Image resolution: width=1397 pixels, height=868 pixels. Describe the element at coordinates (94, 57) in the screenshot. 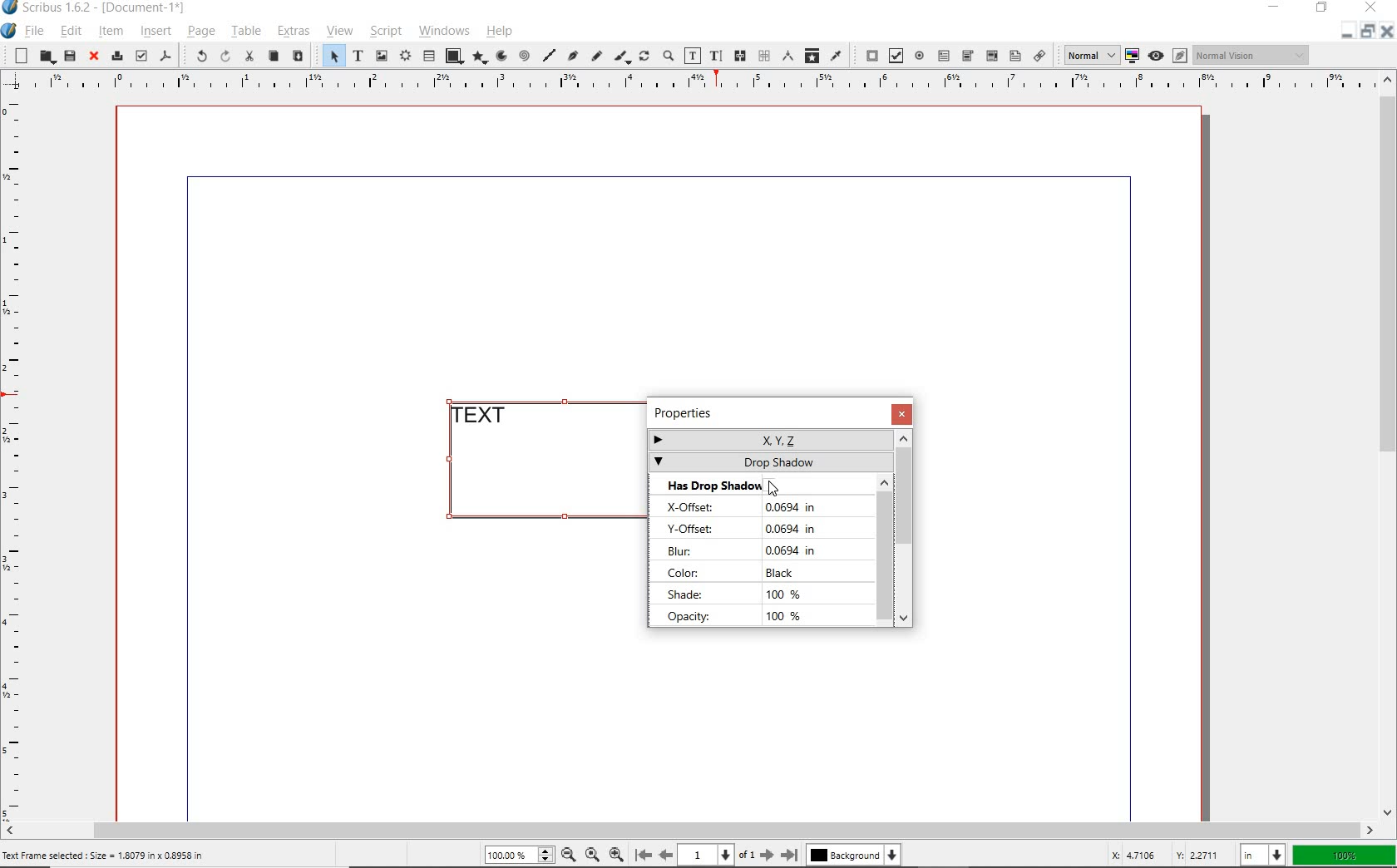

I see `close` at that location.